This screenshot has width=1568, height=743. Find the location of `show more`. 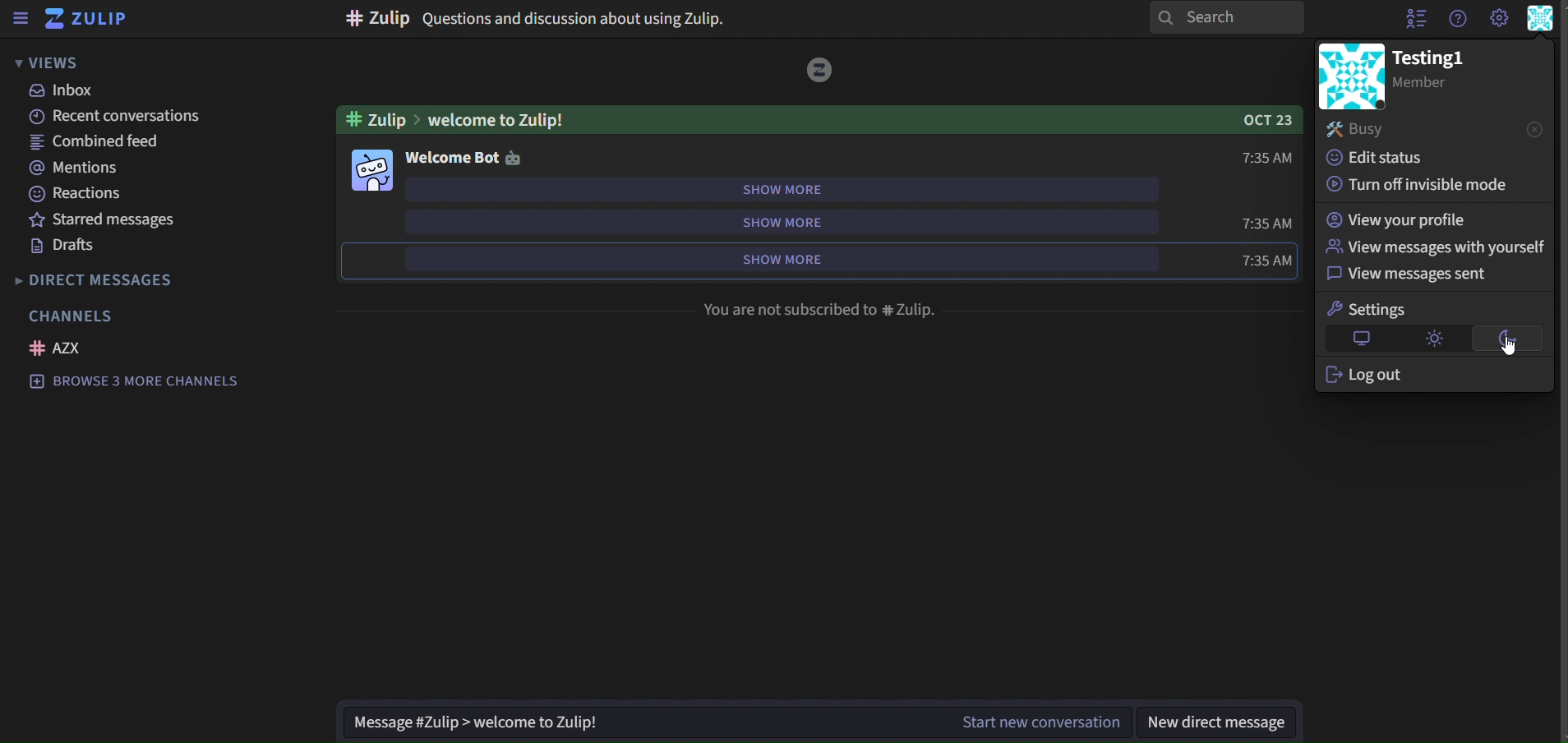

show more is located at coordinates (781, 188).